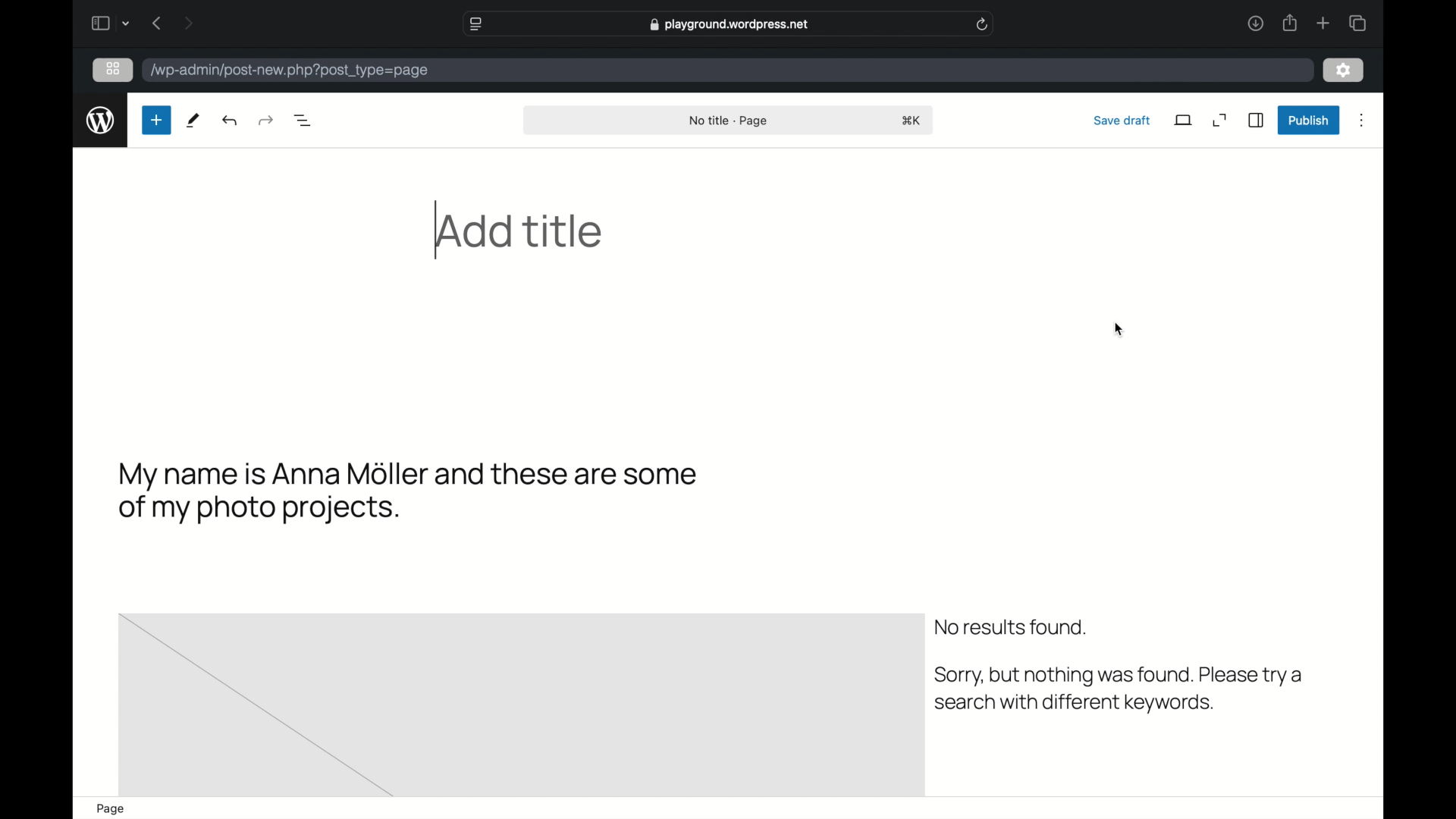  What do you see at coordinates (479, 24) in the screenshot?
I see `website settings` at bounding box center [479, 24].